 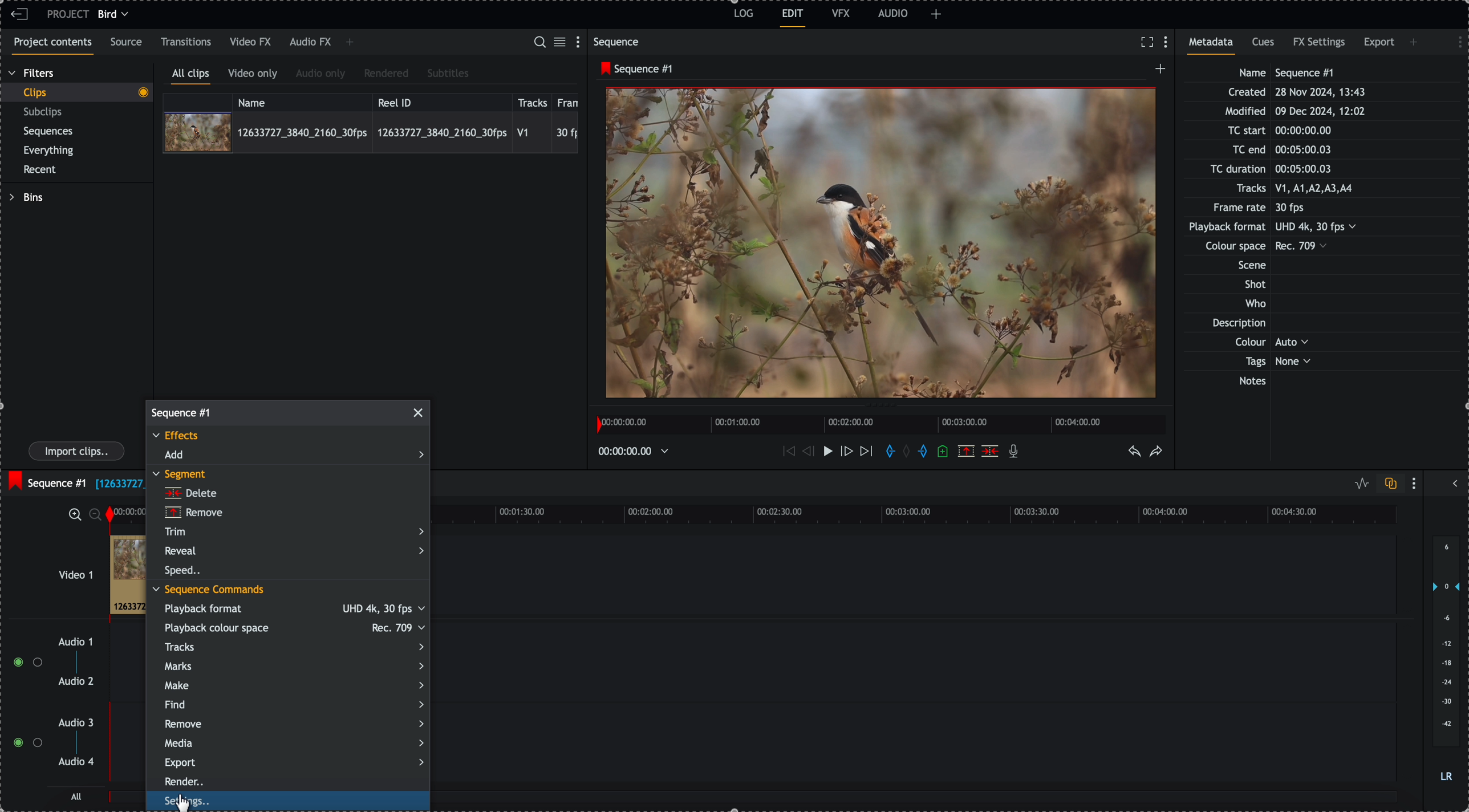 What do you see at coordinates (293, 531) in the screenshot?
I see `trim` at bounding box center [293, 531].